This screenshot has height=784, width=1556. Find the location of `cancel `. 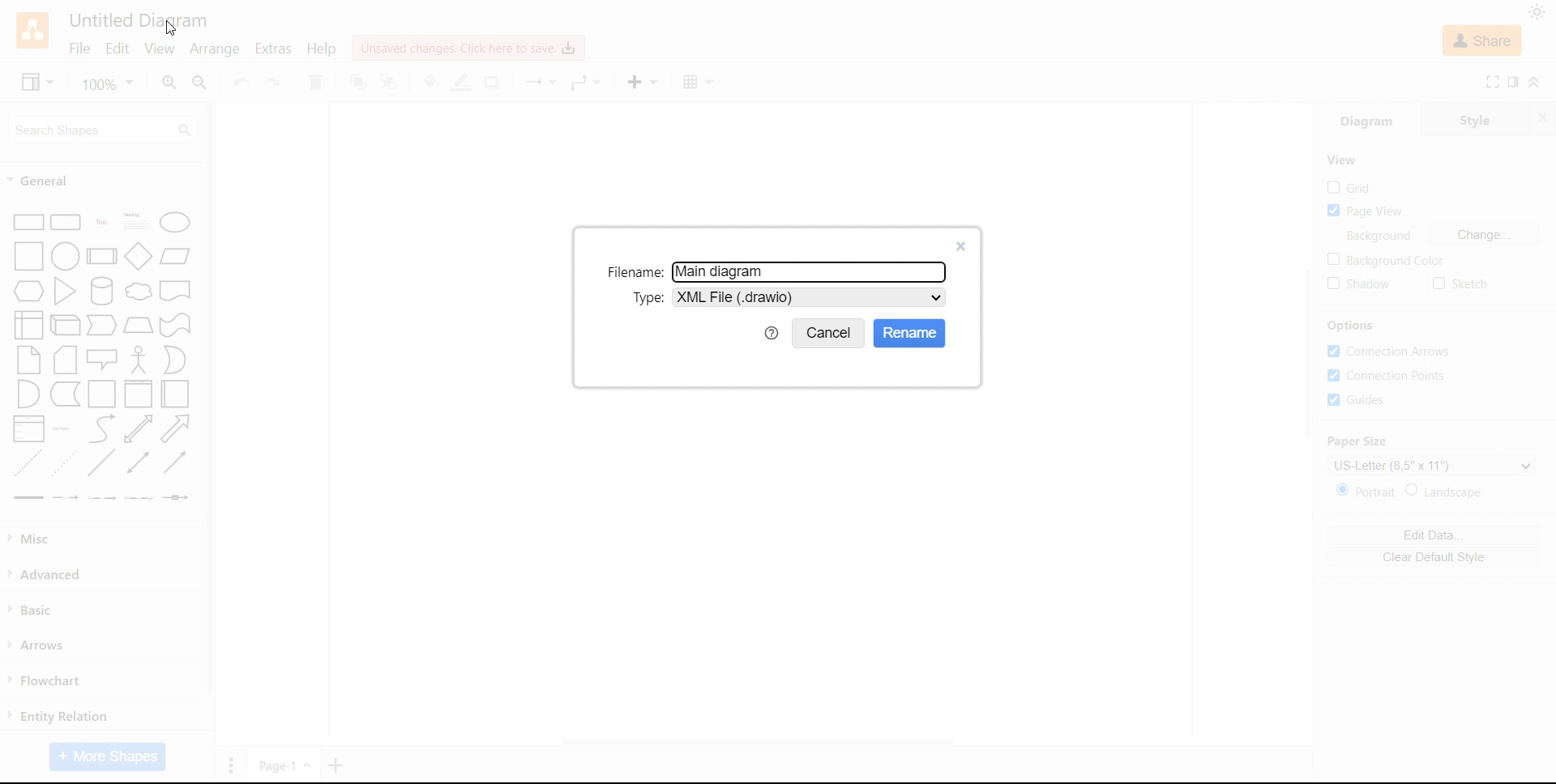

cancel  is located at coordinates (829, 334).